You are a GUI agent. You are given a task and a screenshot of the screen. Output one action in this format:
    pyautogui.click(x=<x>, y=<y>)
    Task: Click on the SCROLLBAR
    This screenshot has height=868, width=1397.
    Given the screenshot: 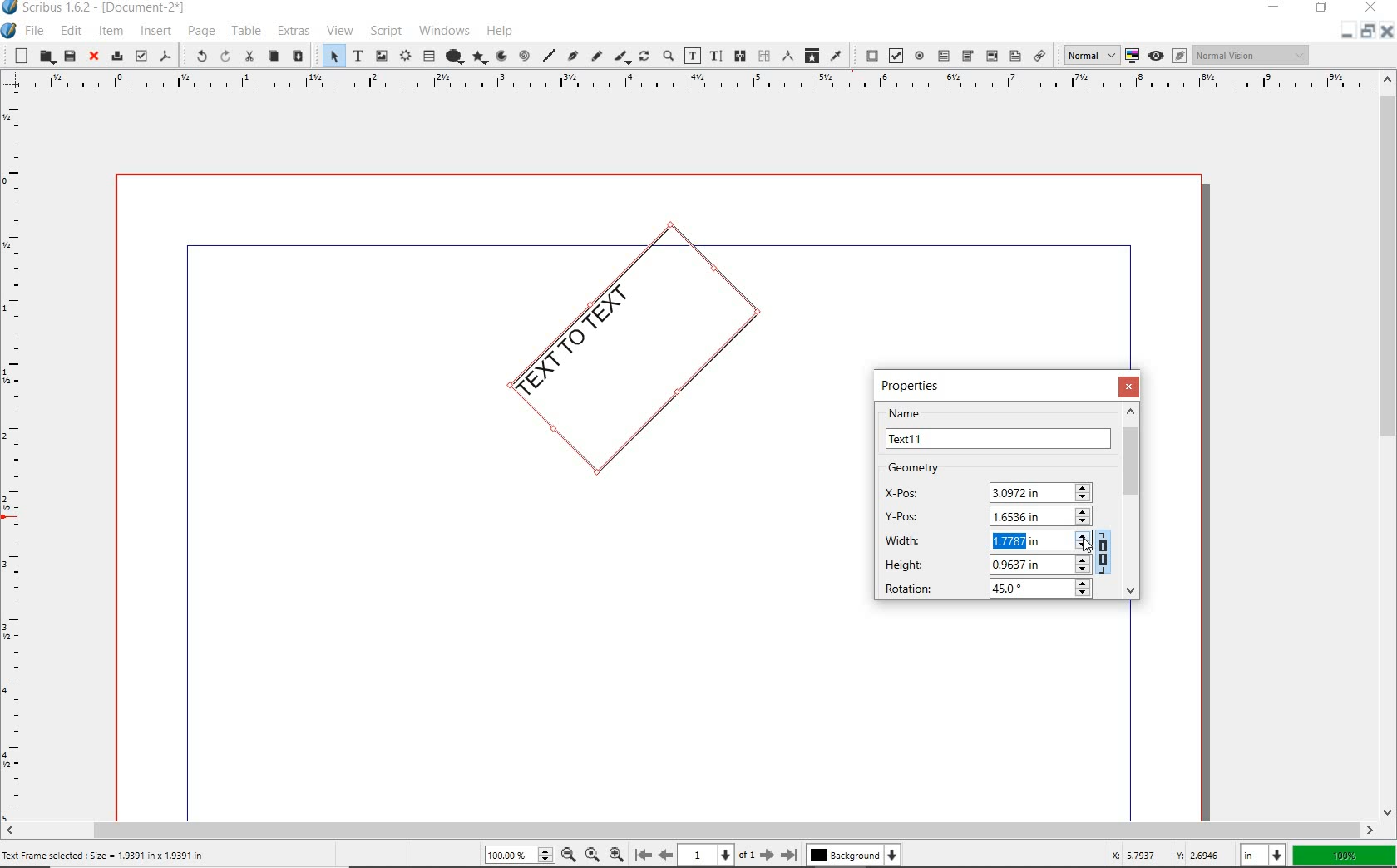 What is the action you would take?
    pyautogui.click(x=1133, y=501)
    